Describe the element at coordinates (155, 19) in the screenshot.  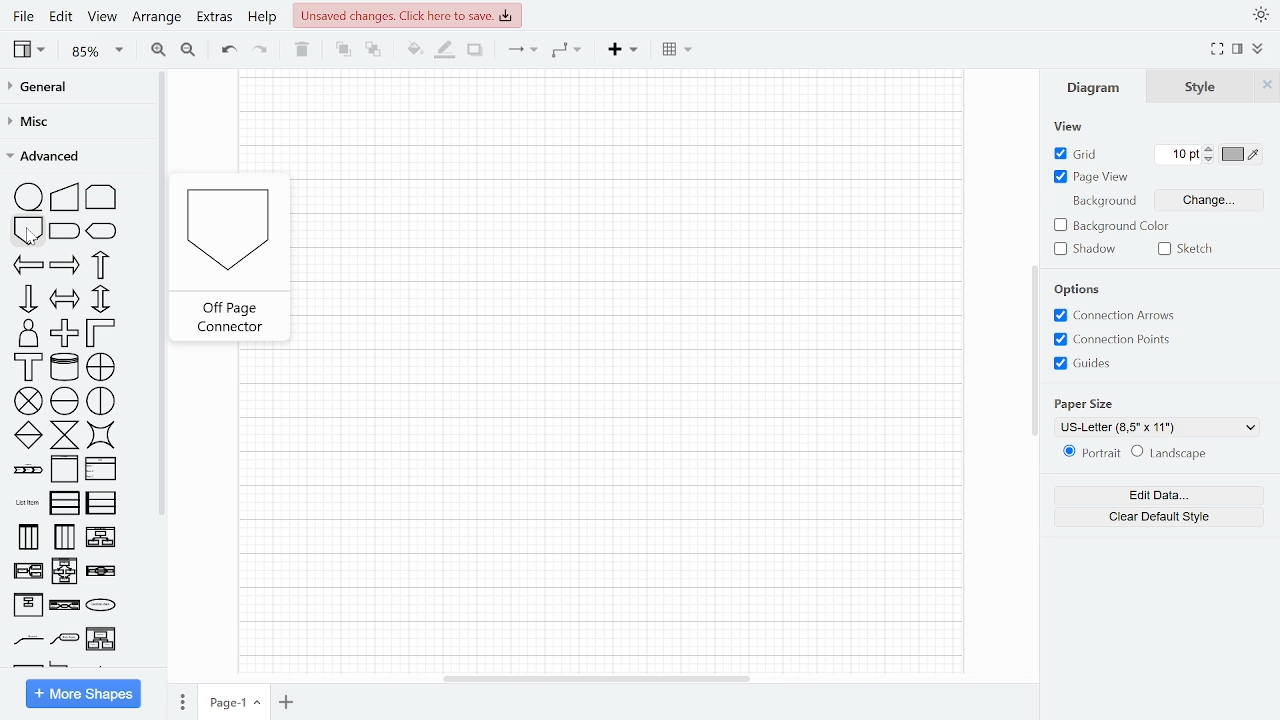
I see `Arrange` at that location.